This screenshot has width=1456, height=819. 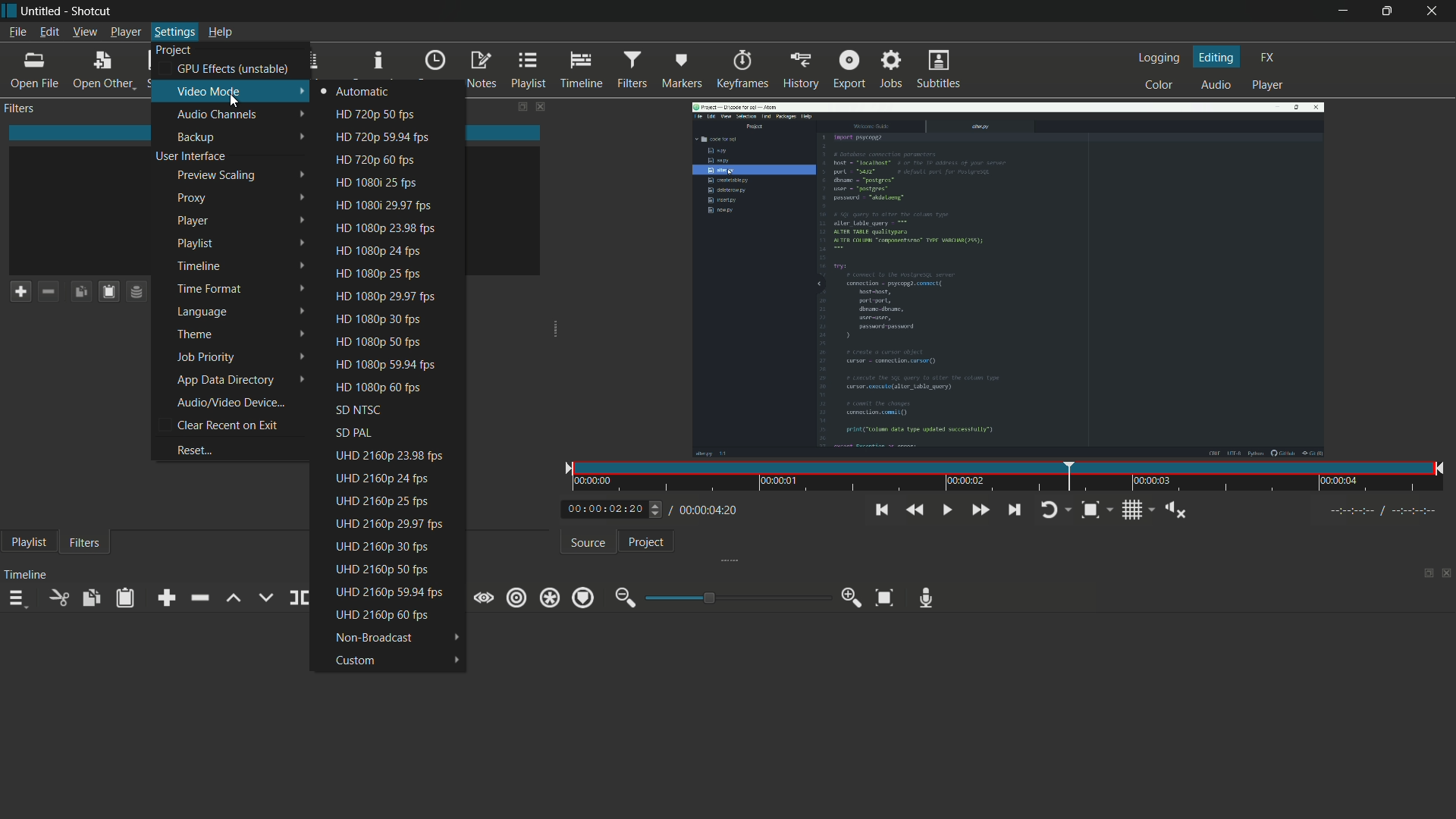 What do you see at coordinates (240, 198) in the screenshot?
I see `proxy` at bounding box center [240, 198].